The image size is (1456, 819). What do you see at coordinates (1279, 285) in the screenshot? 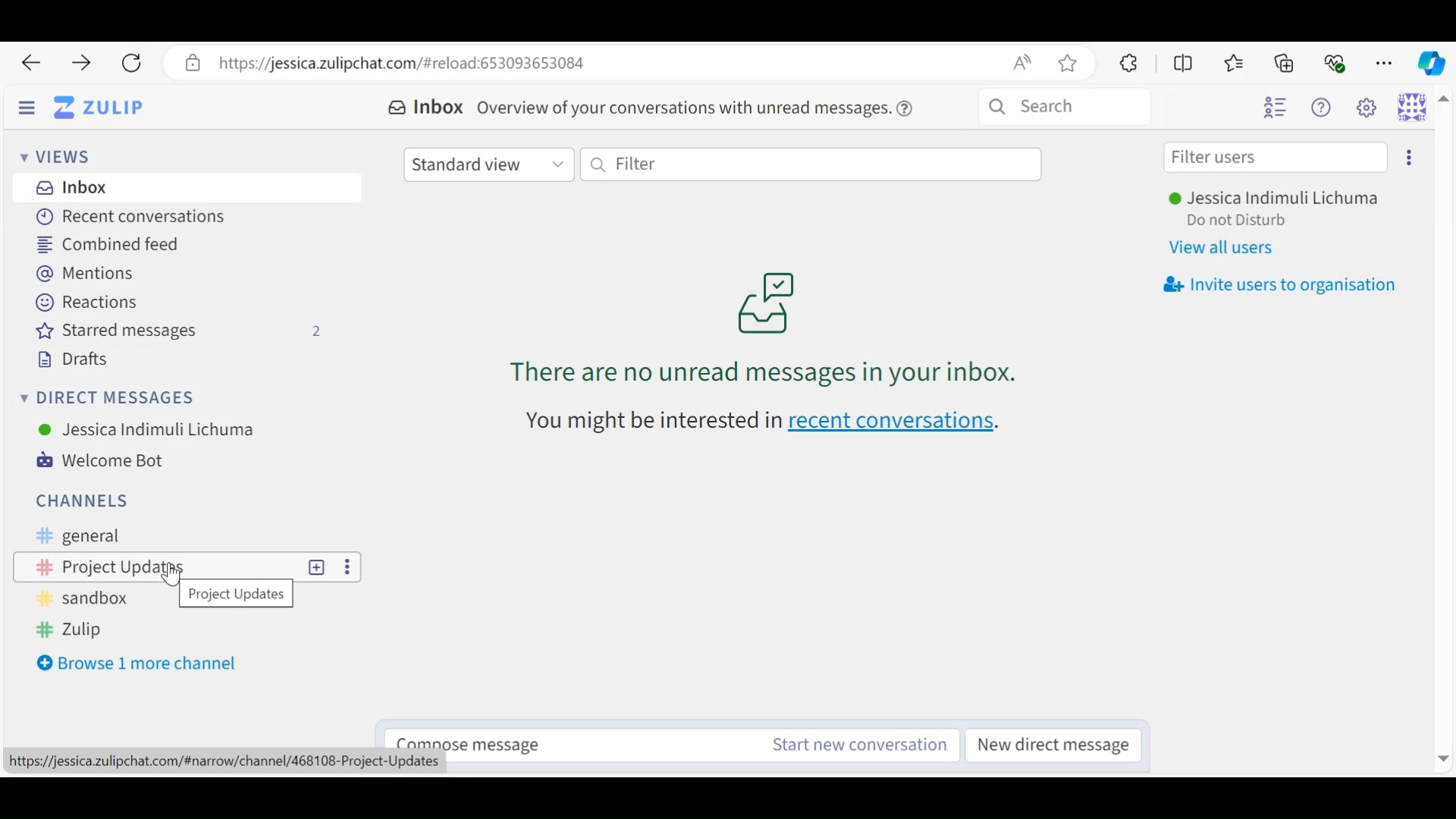
I see `Invite users to organisation` at bounding box center [1279, 285].